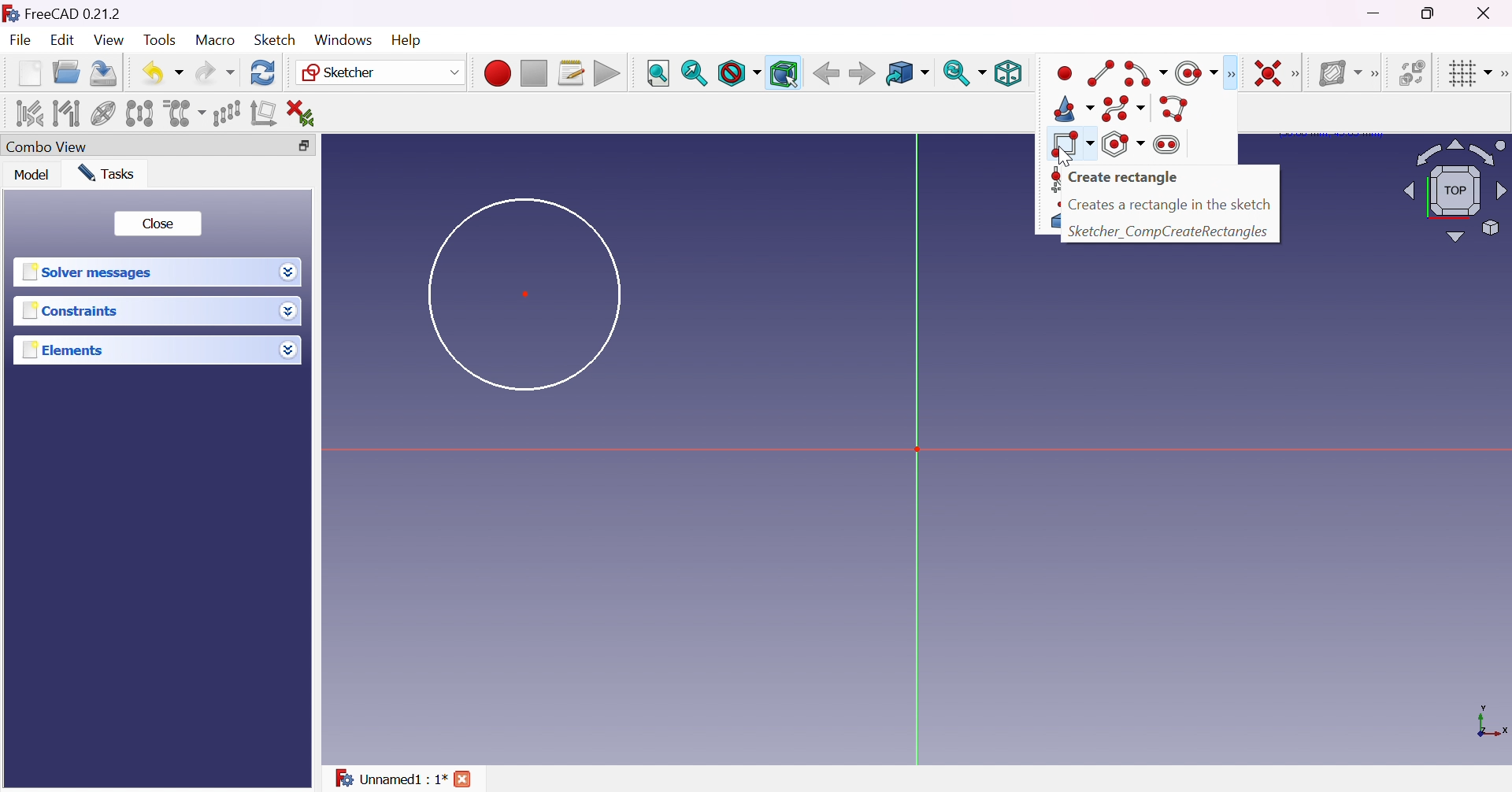 The image size is (1512, 792). What do you see at coordinates (105, 115) in the screenshot?
I see `Show/hide internal geometry` at bounding box center [105, 115].